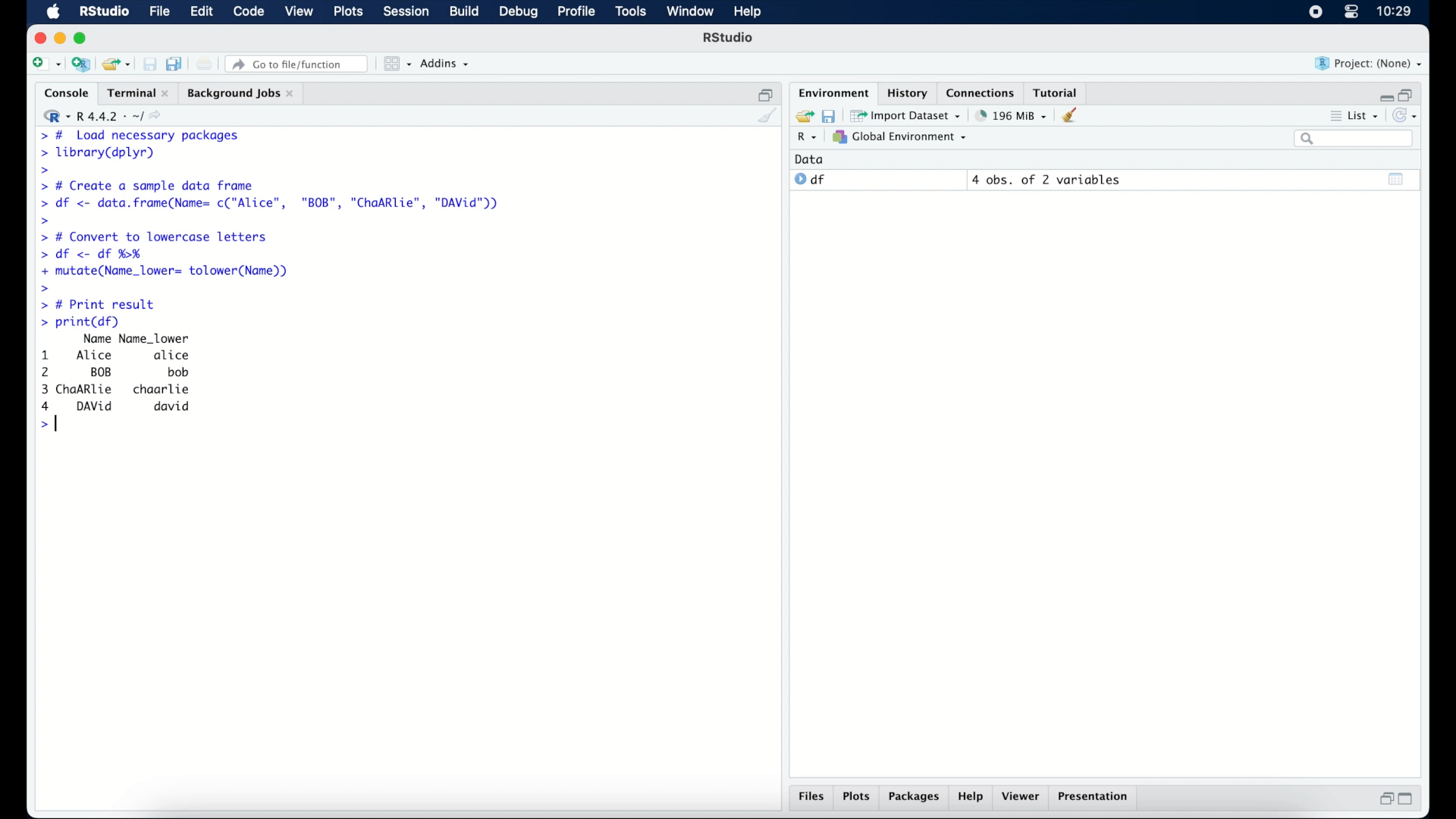 The image size is (1456, 819). Describe the element at coordinates (1075, 116) in the screenshot. I see `clear workspace` at that location.